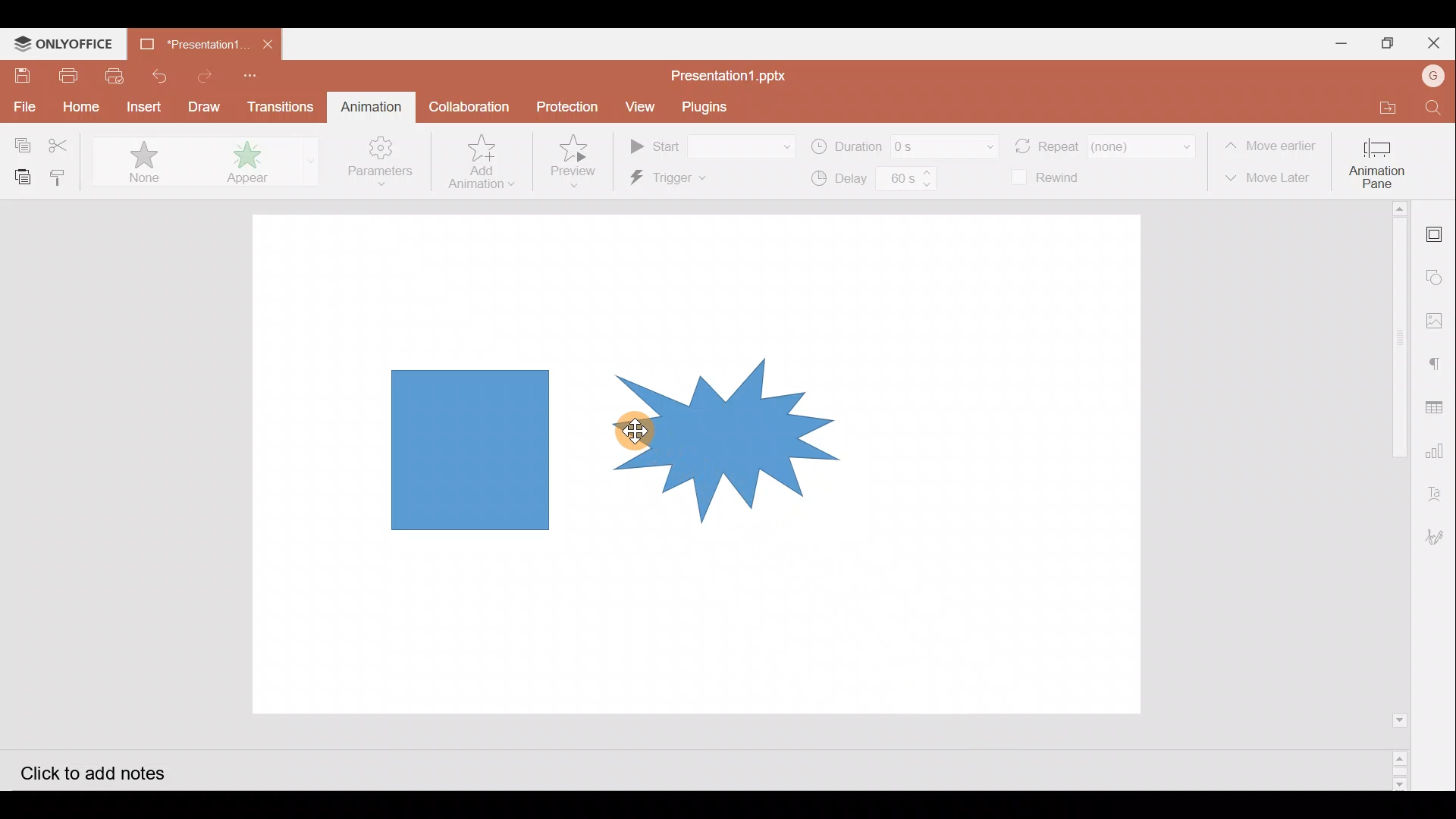 The height and width of the screenshot is (819, 1456). Describe the element at coordinates (1432, 42) in the screenshot. I see `Close` at that location.